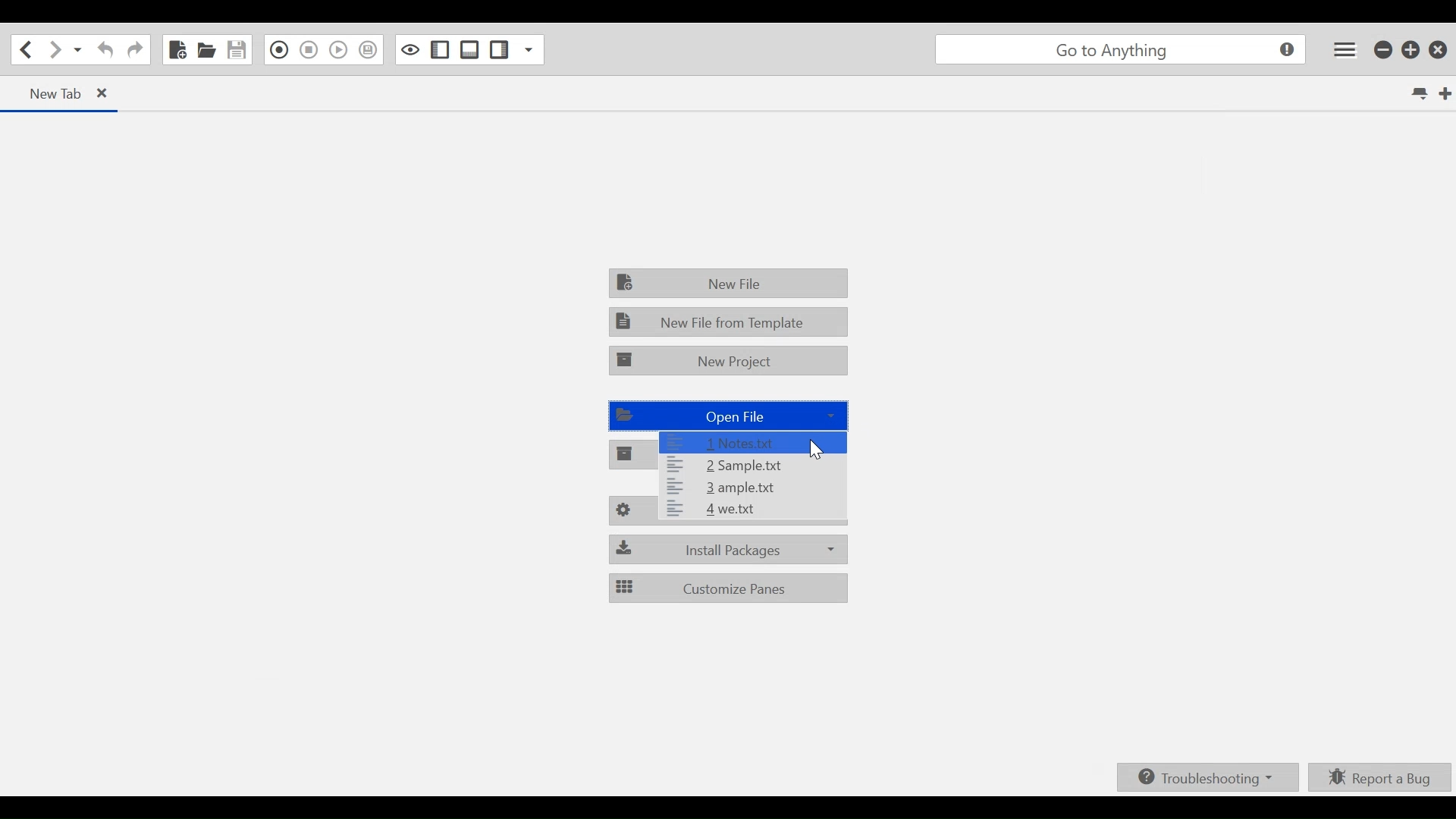 This screenshot has width=1456, height=819. What do you see at coordinates (103, 50) in the screenshot?
I see `Undo` at bounding box center [103, 50].